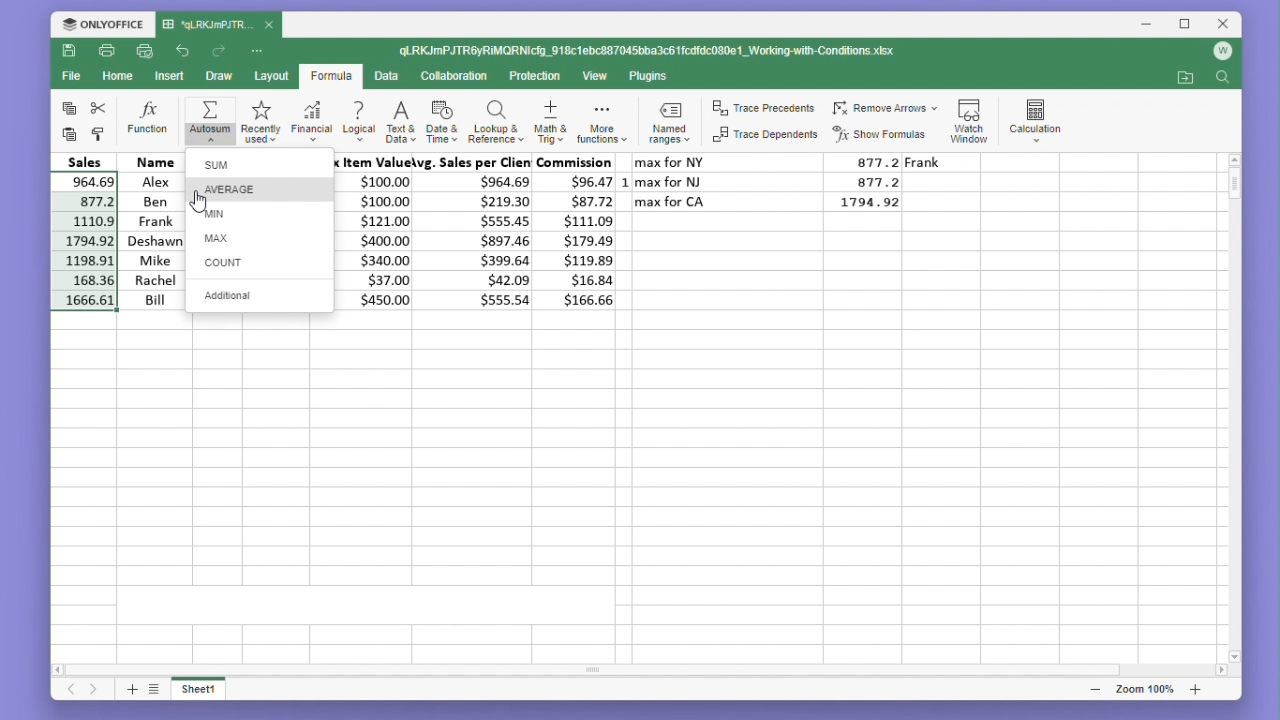 This screenshot has height=720, width=1280. I want to click on Open my location, so click(1185, 78).